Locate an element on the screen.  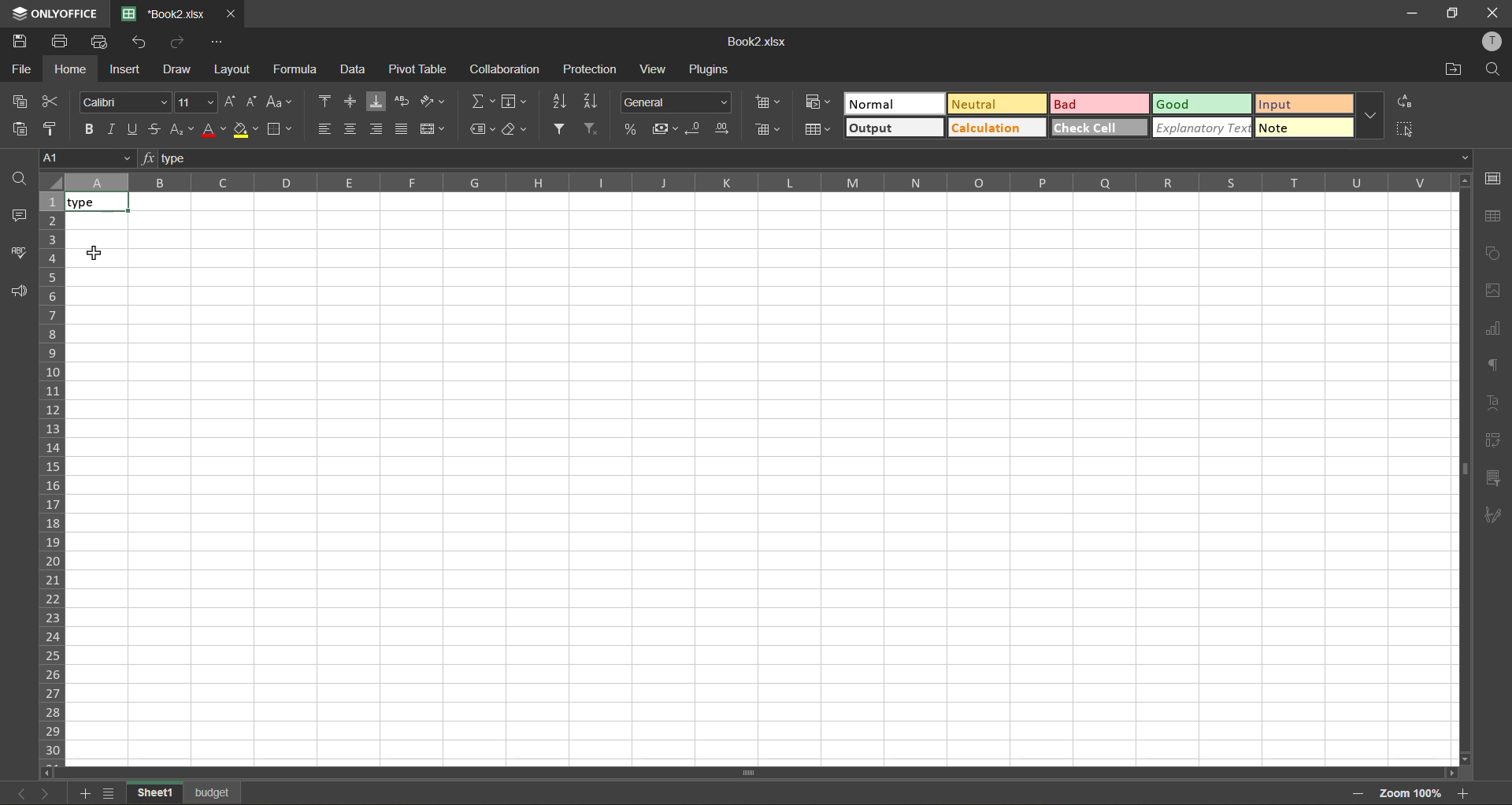
underline is located at coordinates (135, 127).